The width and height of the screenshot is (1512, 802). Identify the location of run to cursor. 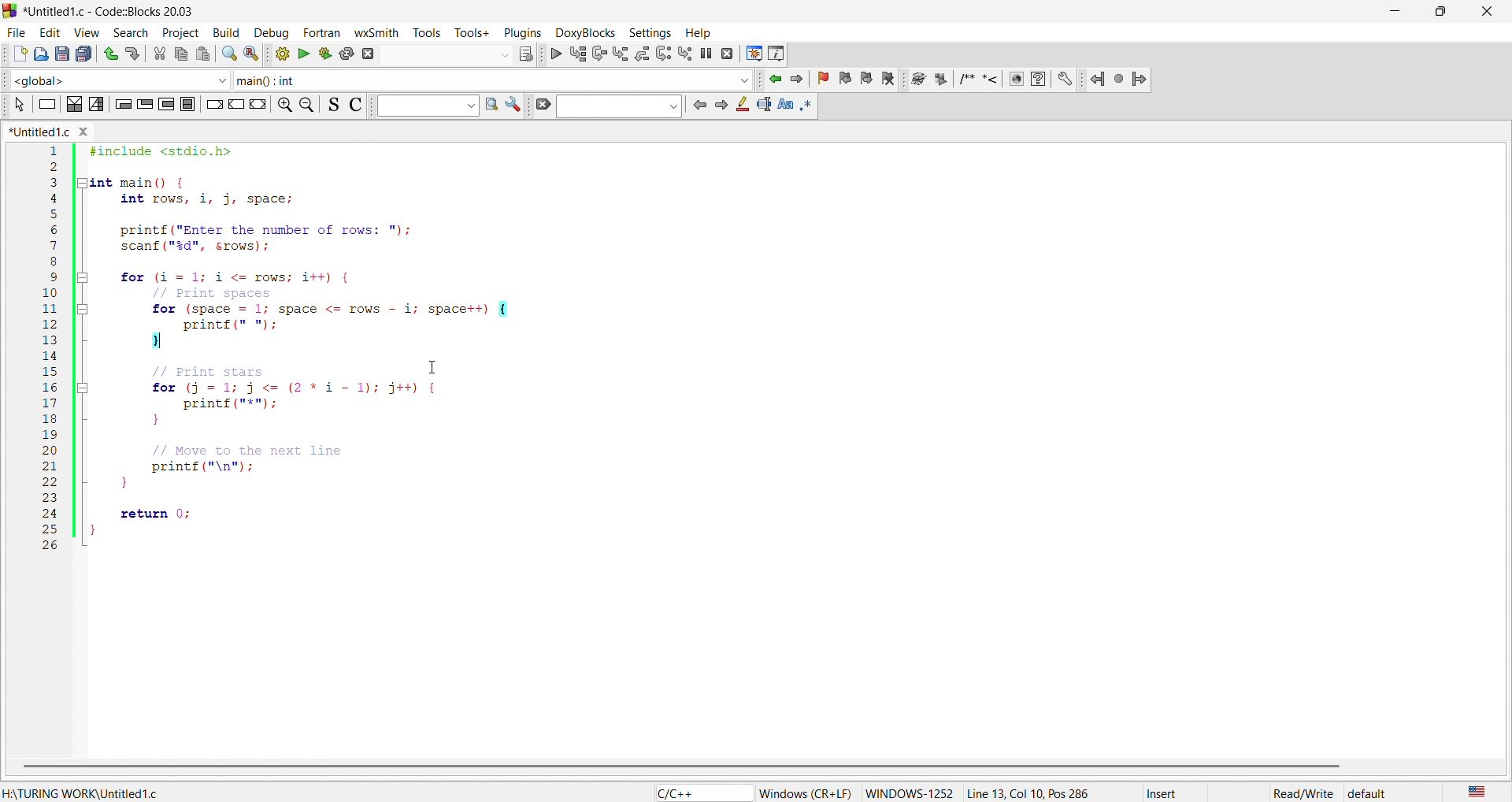
(577, 54).